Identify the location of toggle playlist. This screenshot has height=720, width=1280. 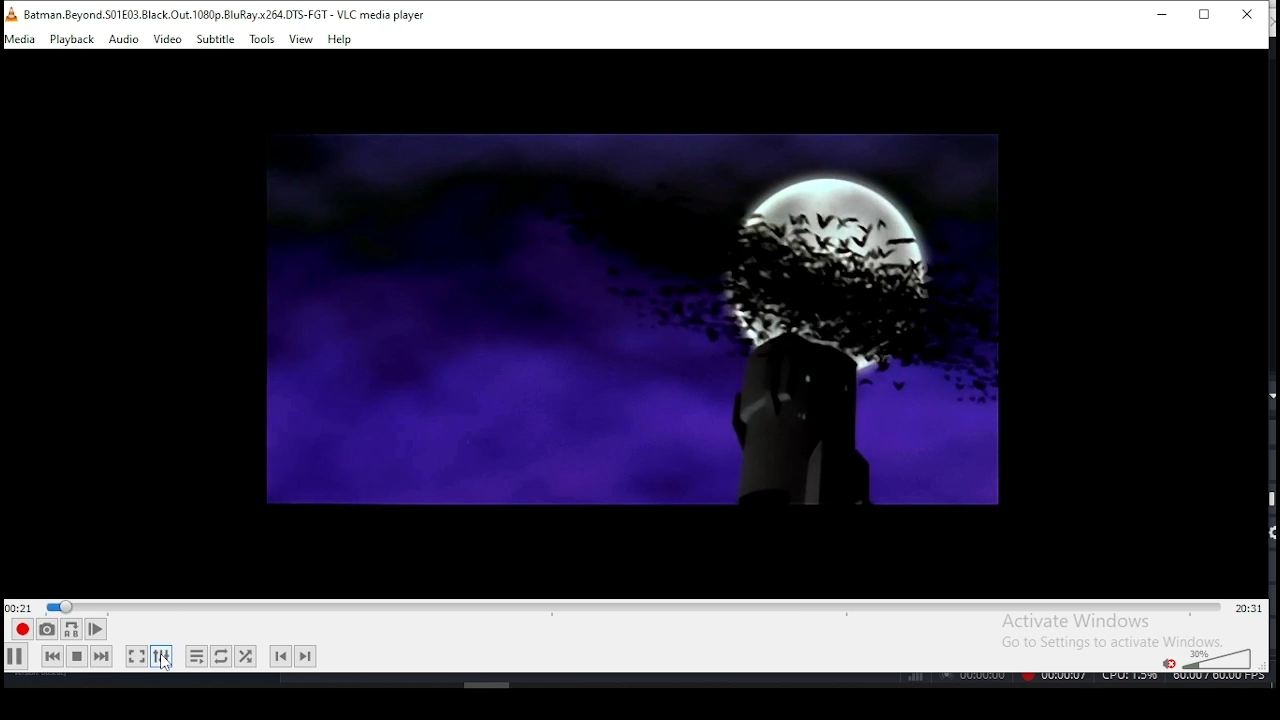
(196, 654).